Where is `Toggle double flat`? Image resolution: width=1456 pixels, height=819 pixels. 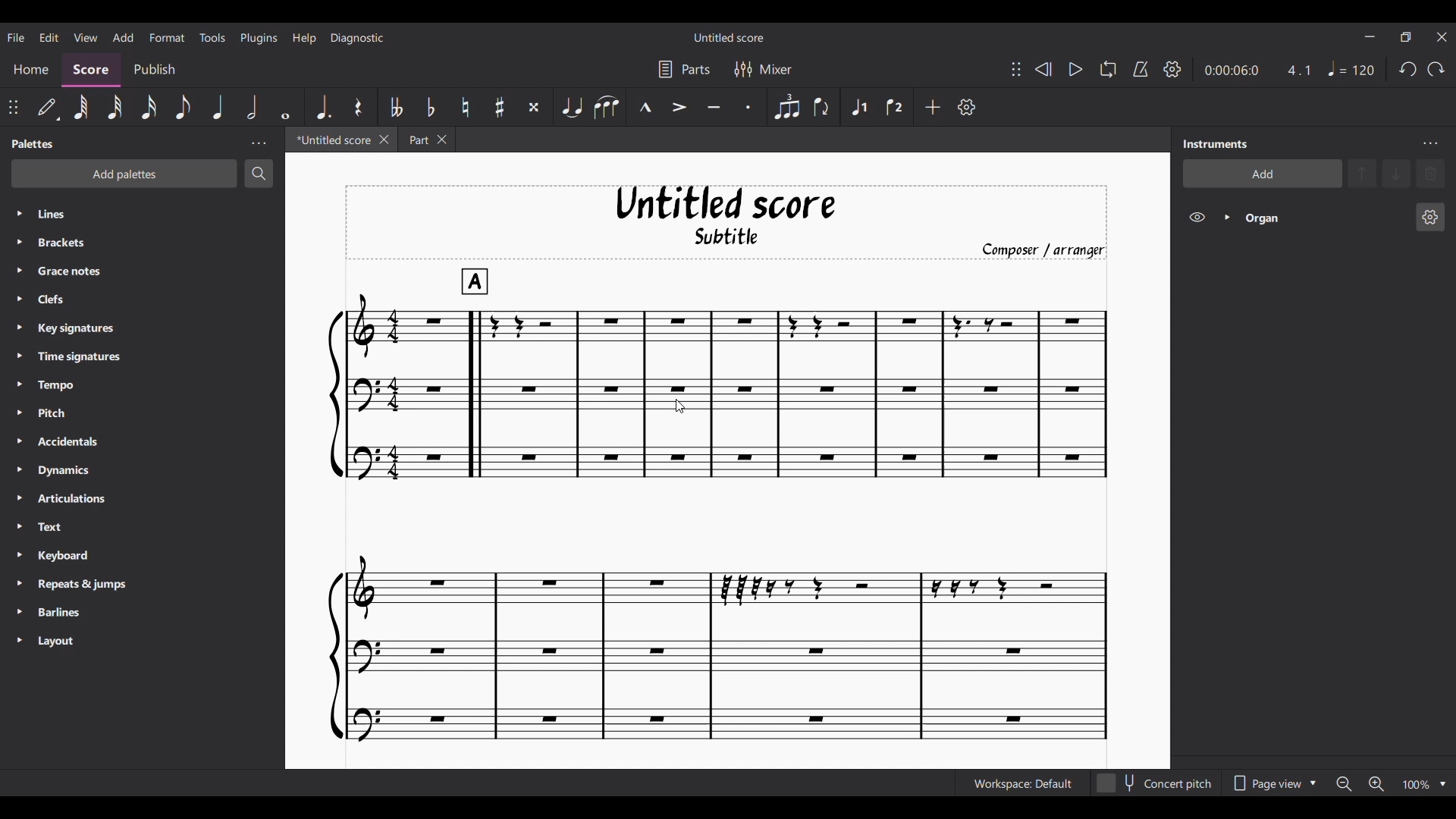
Toggle double flat is located at coordinates (397, 106).